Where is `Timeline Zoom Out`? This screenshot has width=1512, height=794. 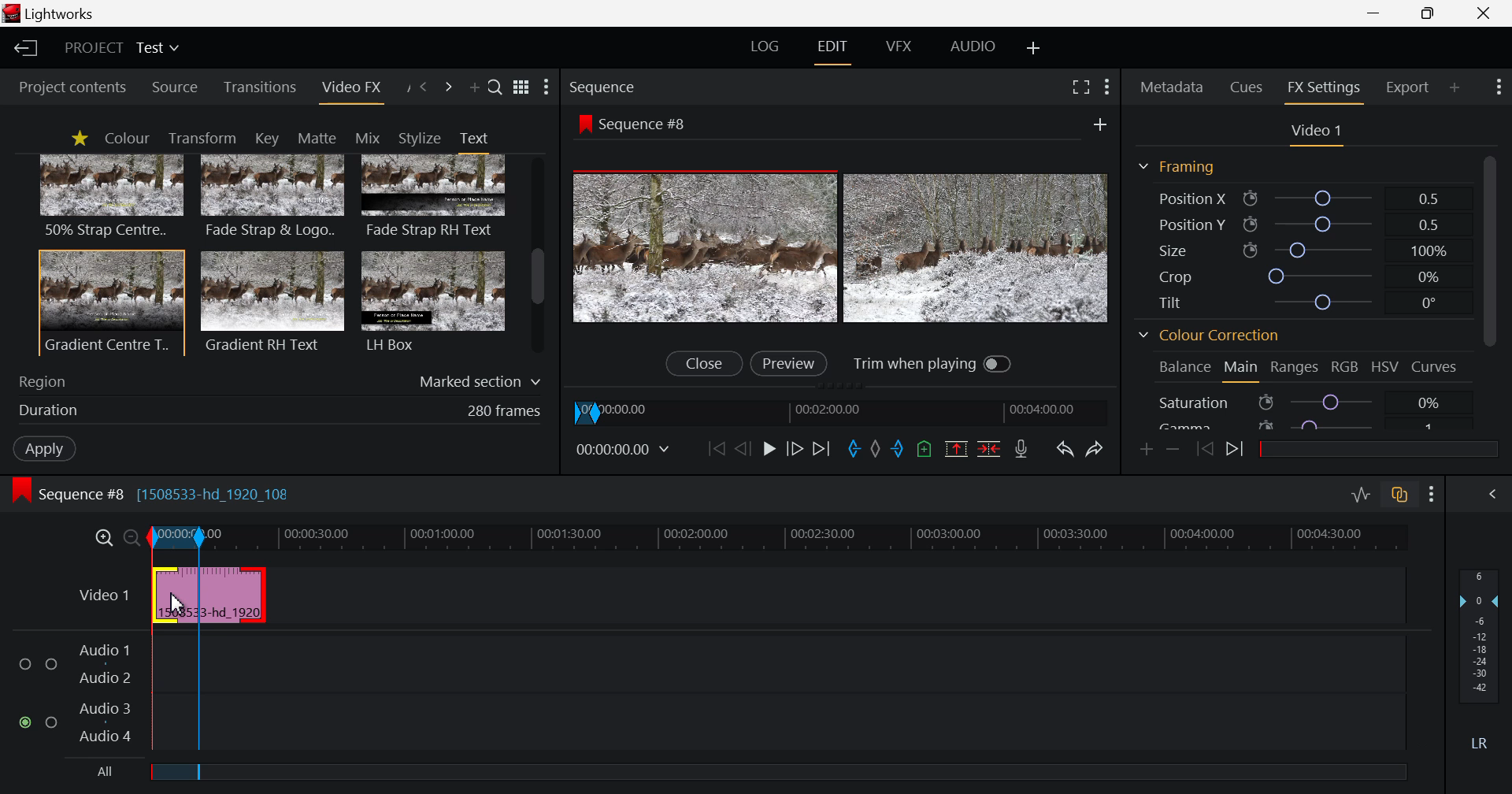
Timeline Zoom Out is located at coordinates (132, 534).